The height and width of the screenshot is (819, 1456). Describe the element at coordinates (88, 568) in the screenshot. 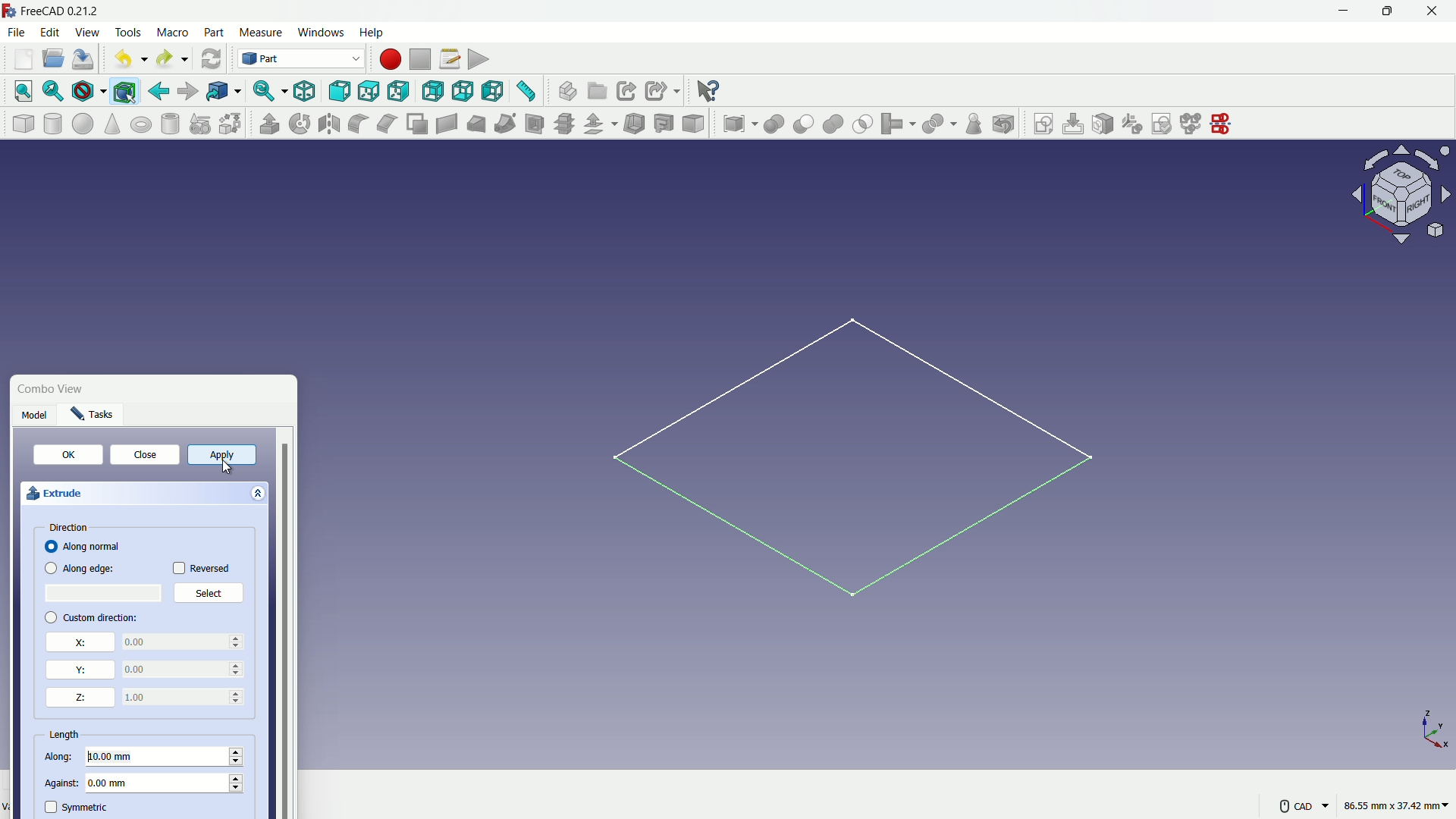

I see `Along edge` at that location.